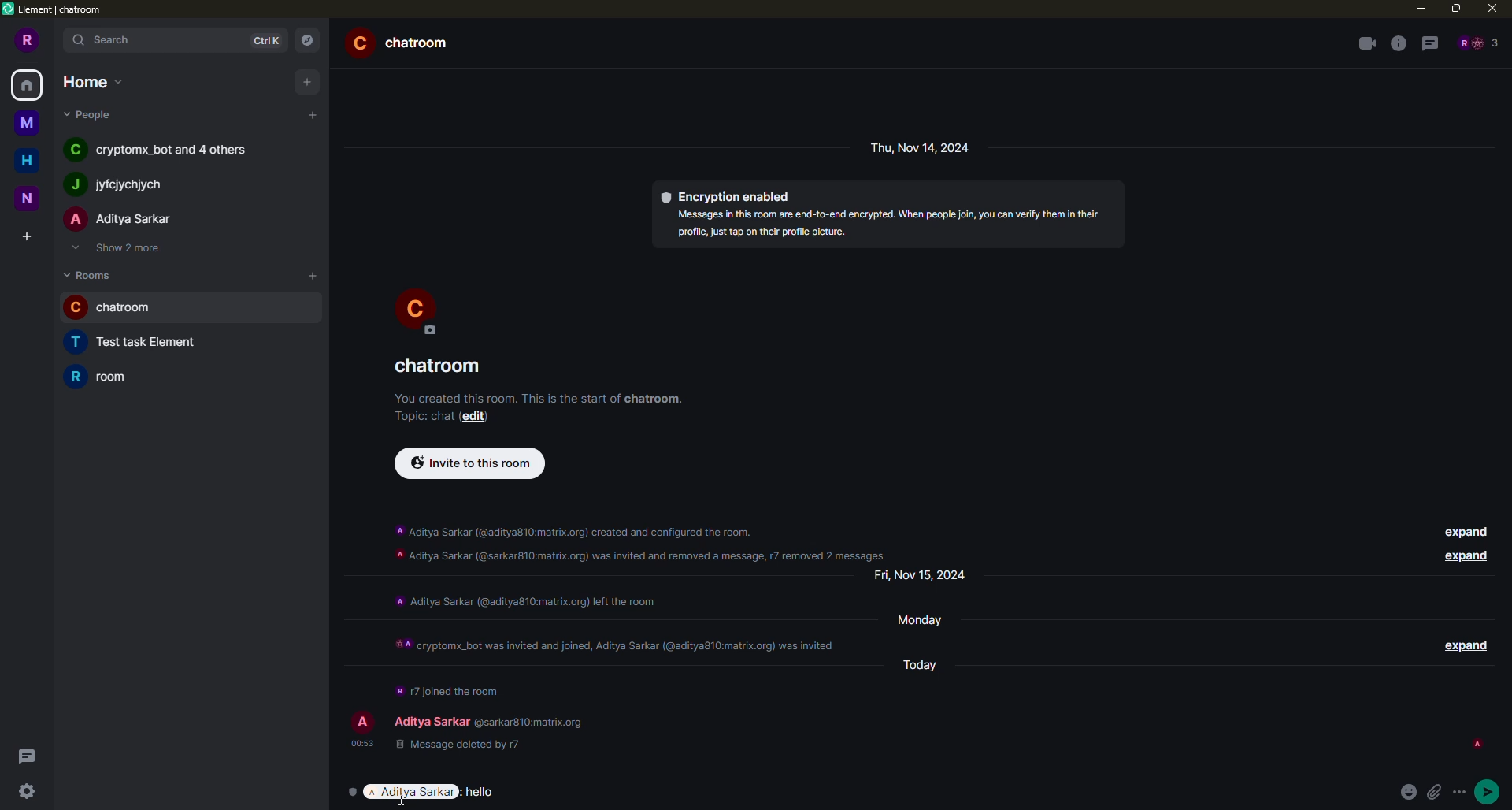 The image size is (1512, 810). Describe the element at coordinates (305, 81) in the screenshot. I see `add` at that location.